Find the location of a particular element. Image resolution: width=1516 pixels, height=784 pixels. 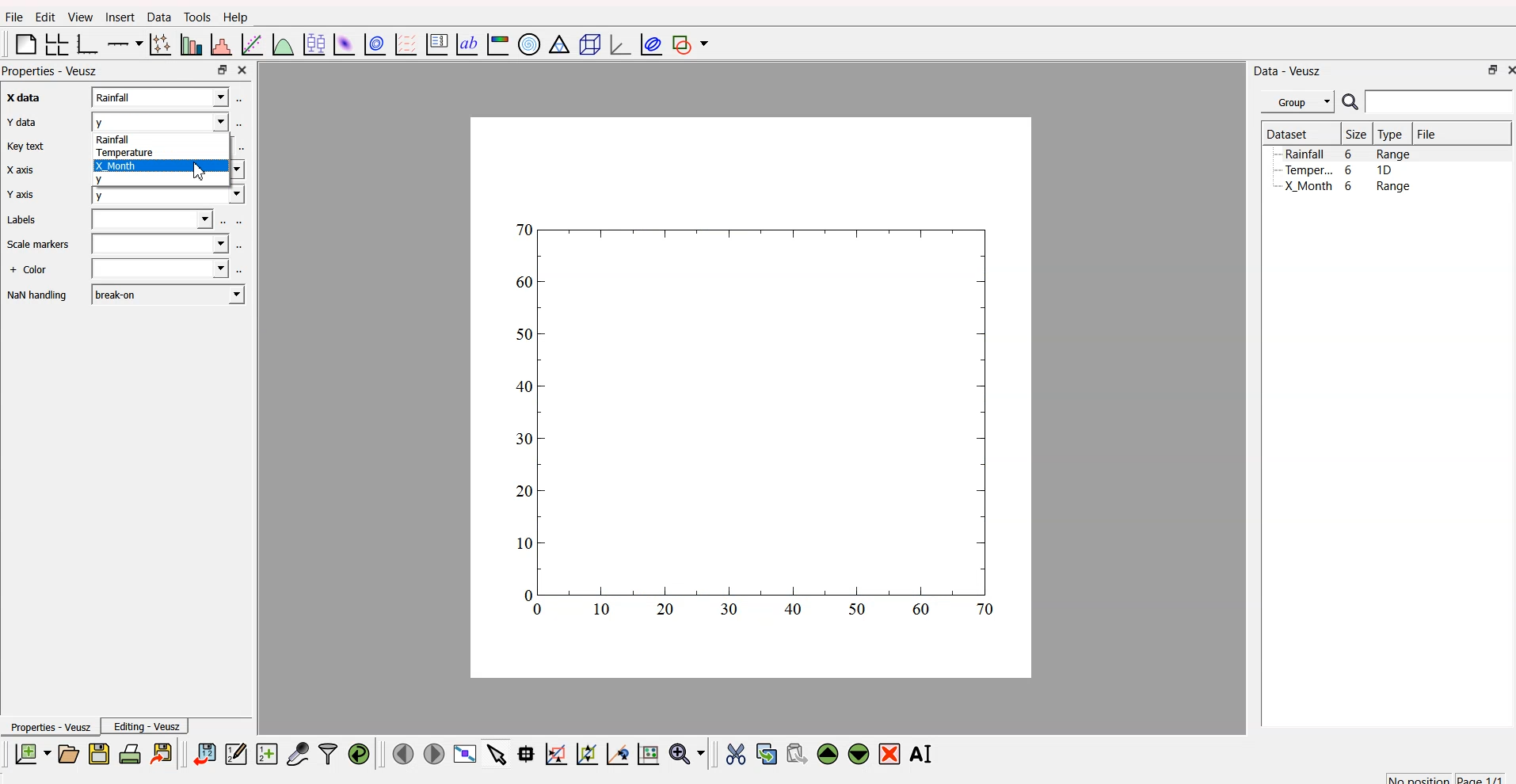

cut the widget is located at coordinates (734, 753).